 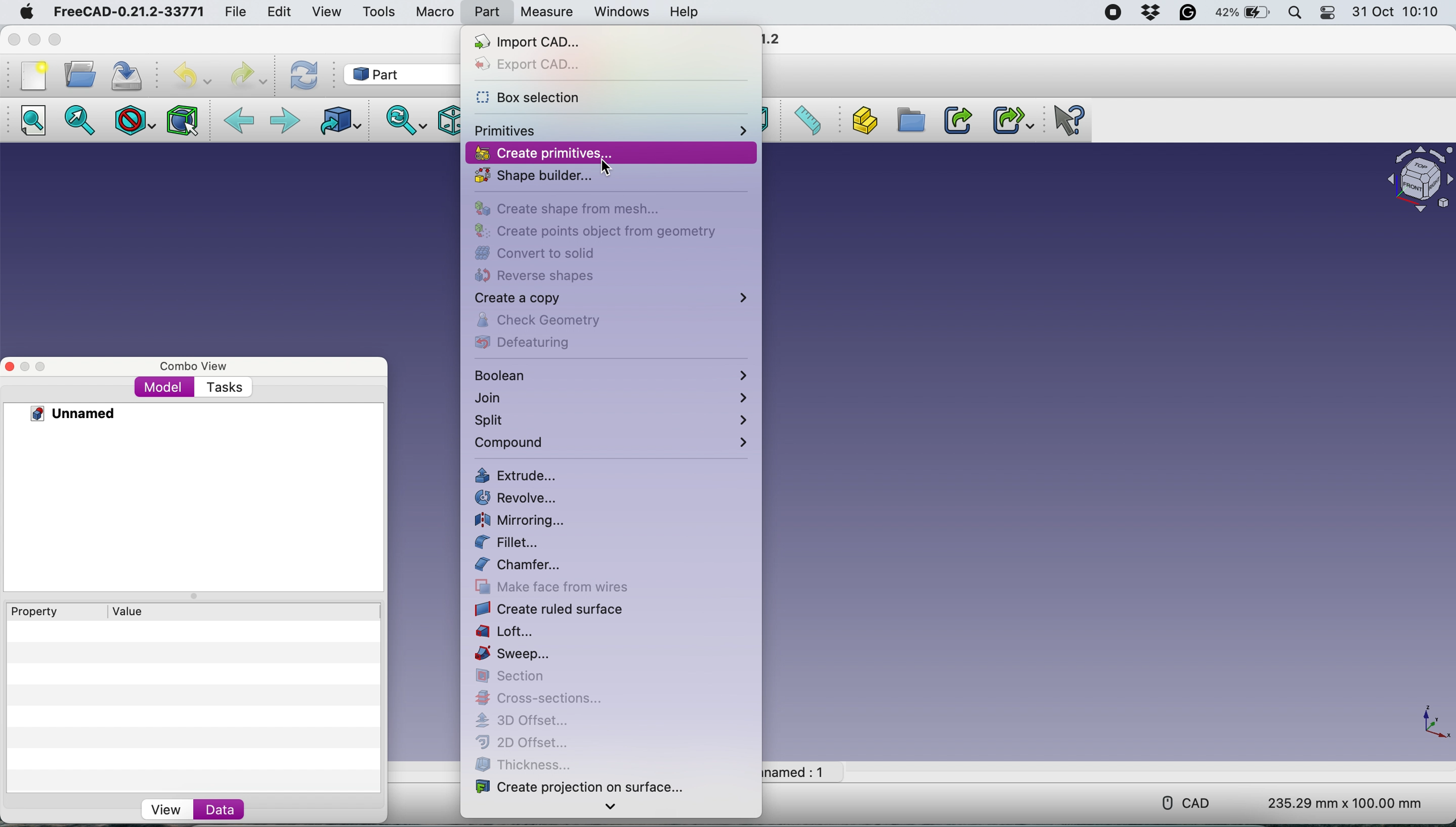 I want to click on Left, so click(x=766, y=120).